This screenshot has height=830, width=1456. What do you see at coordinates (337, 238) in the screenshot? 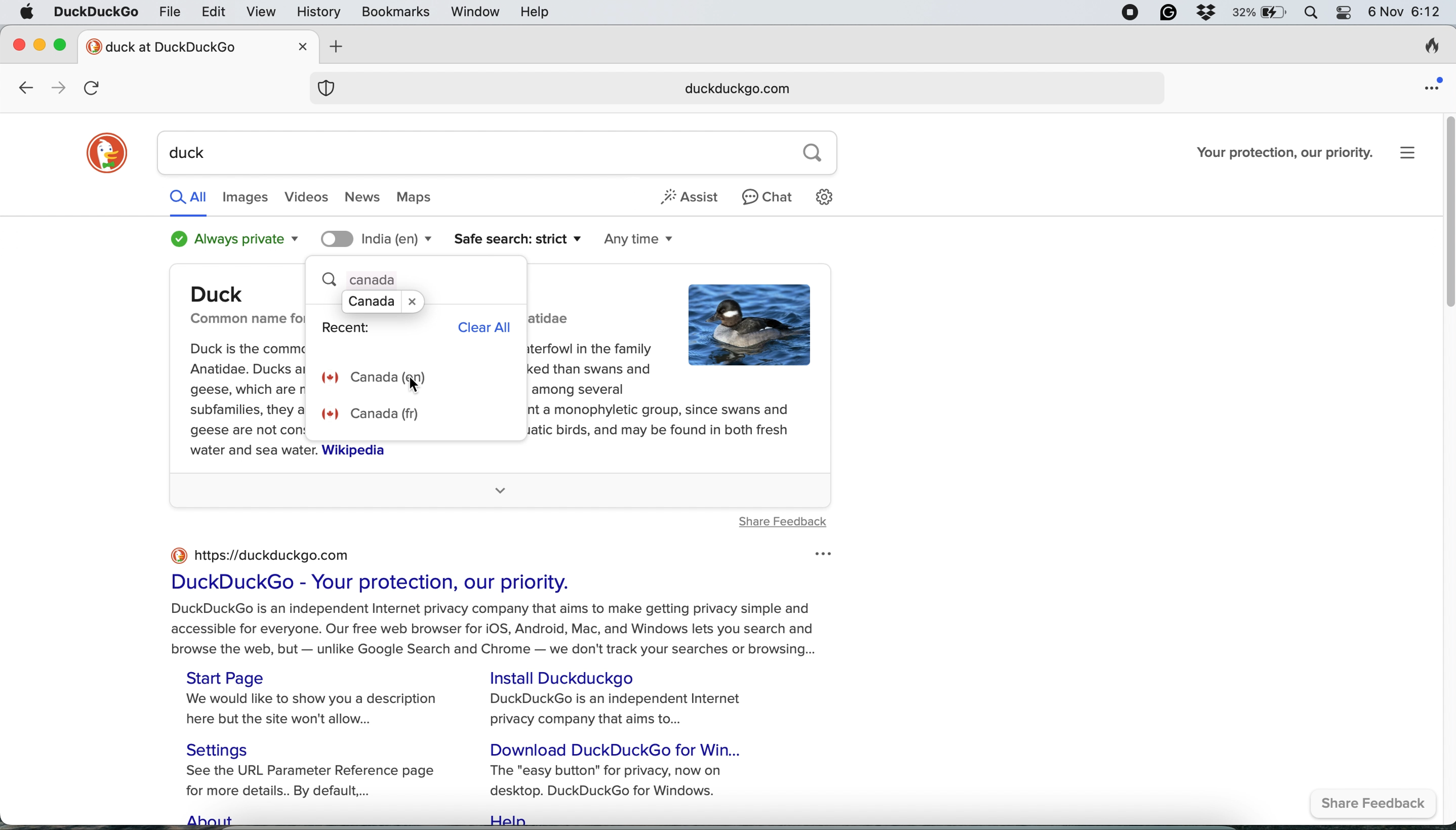
I see `toggle location` at bounding box center [337, 238].